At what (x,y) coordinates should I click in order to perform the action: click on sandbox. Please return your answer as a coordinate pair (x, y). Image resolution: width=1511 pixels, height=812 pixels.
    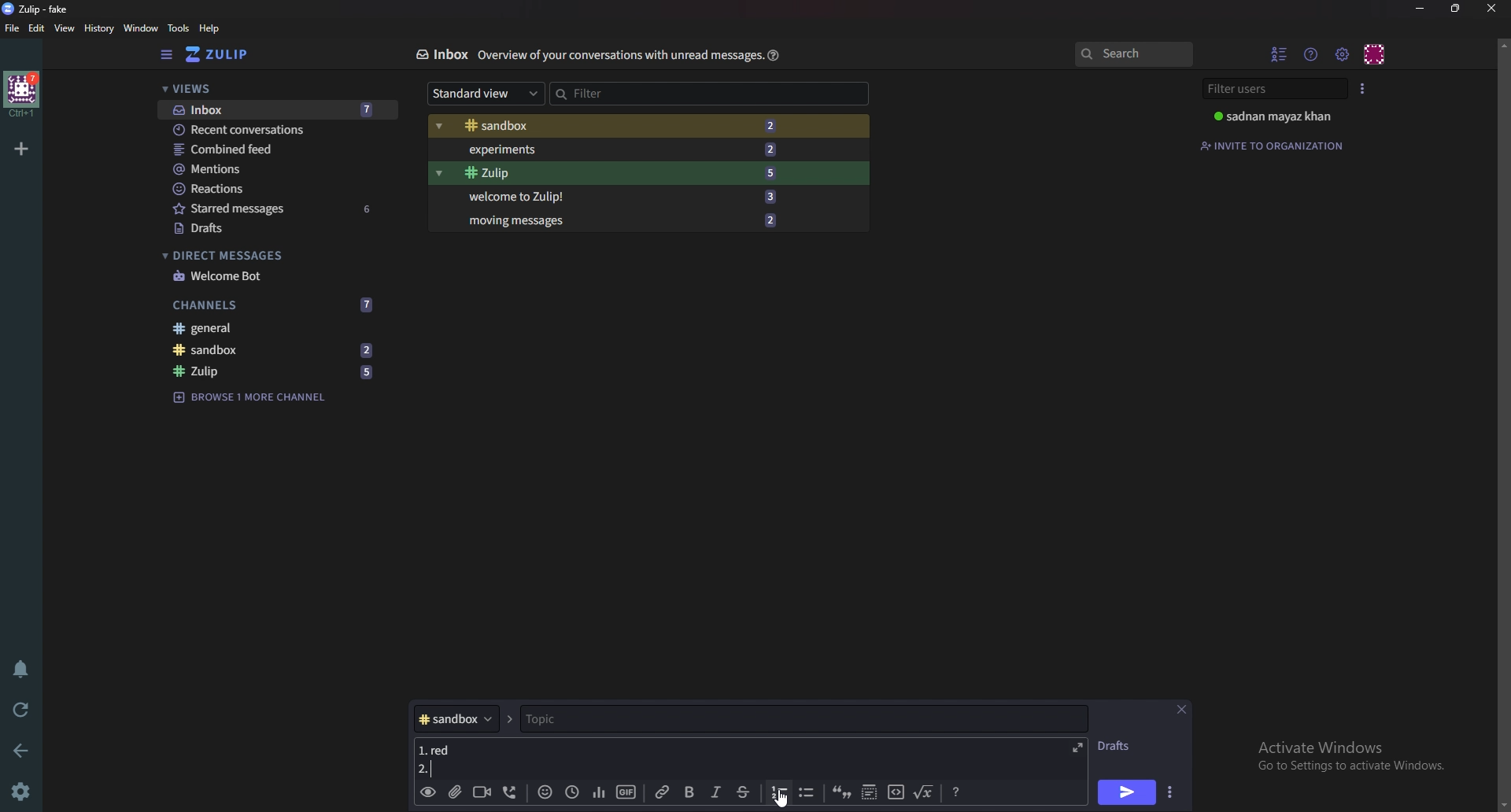
    Looking at the image, I should click on (278, 350).